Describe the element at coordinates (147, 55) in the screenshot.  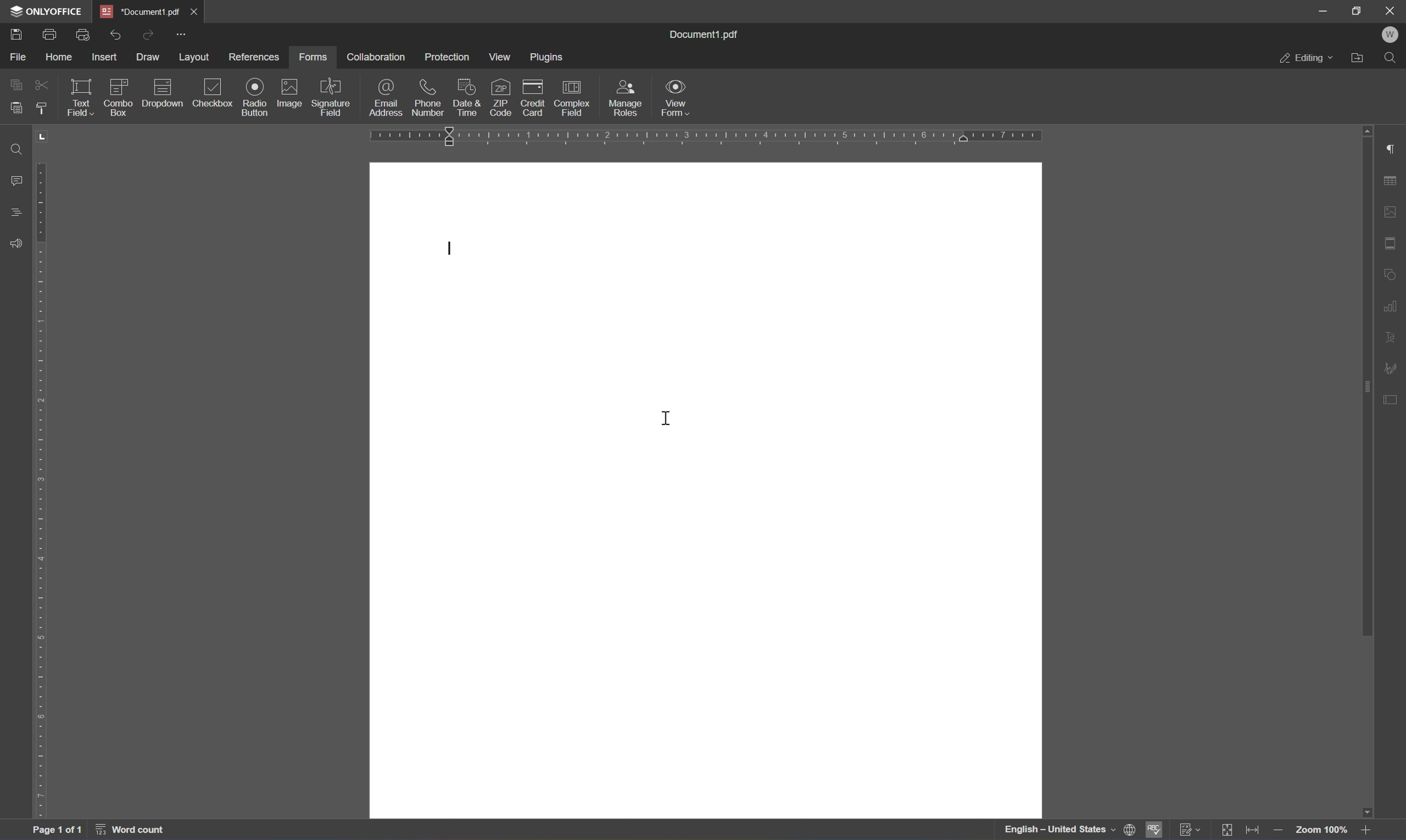
I see `draw` at that location.